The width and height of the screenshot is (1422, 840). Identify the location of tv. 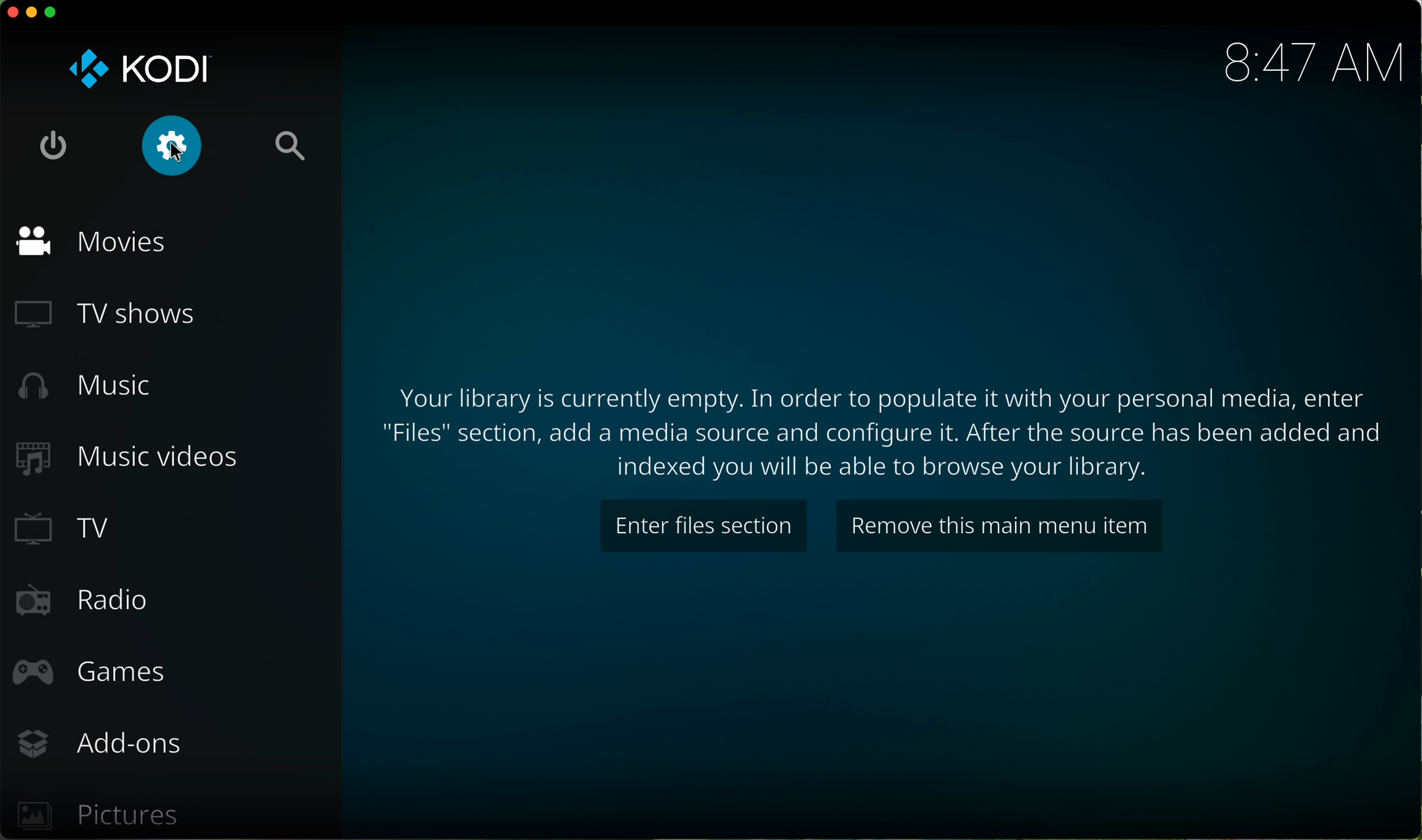
(69, 529).